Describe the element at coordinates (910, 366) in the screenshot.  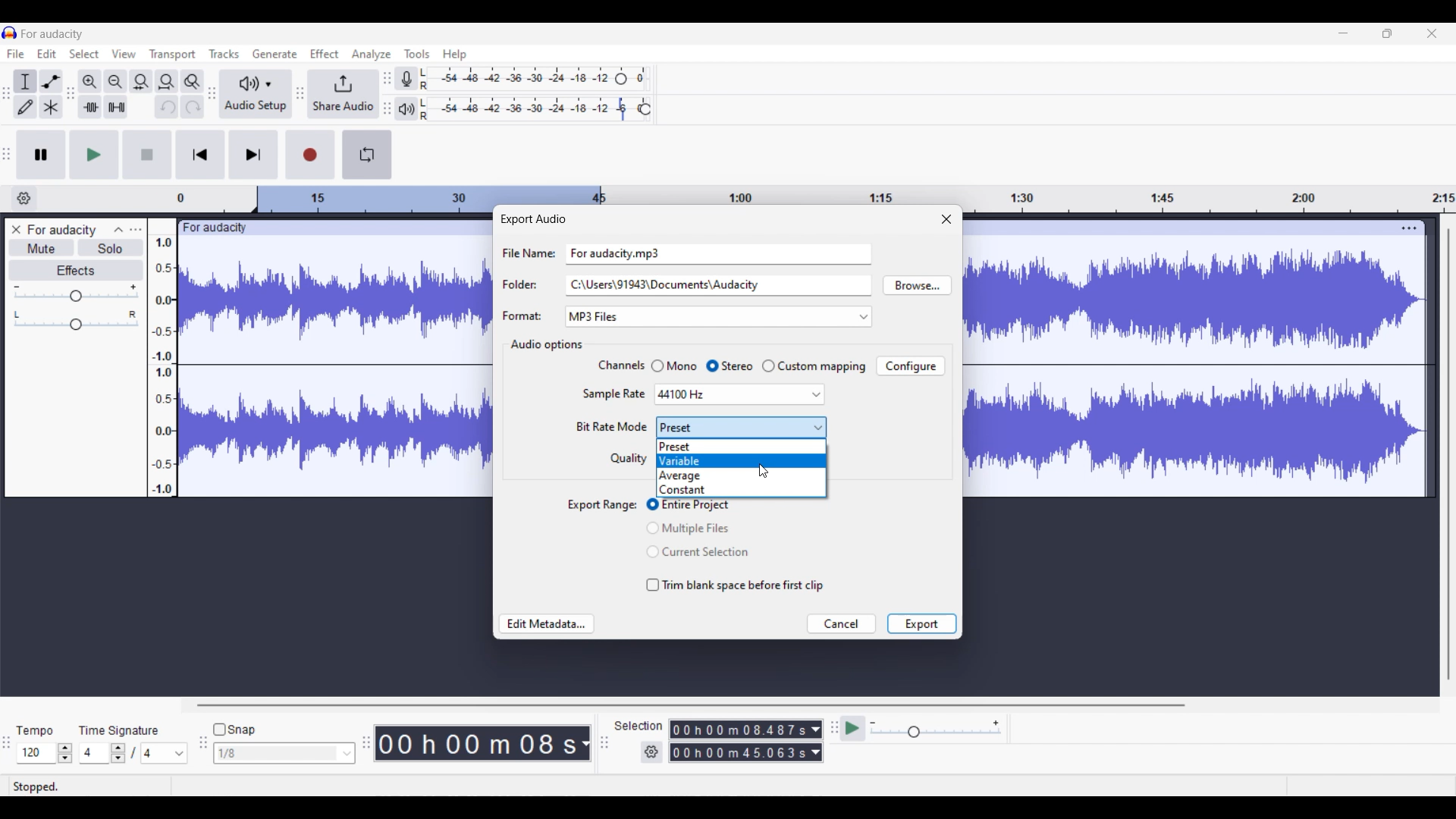
I see `Configure` at that location.